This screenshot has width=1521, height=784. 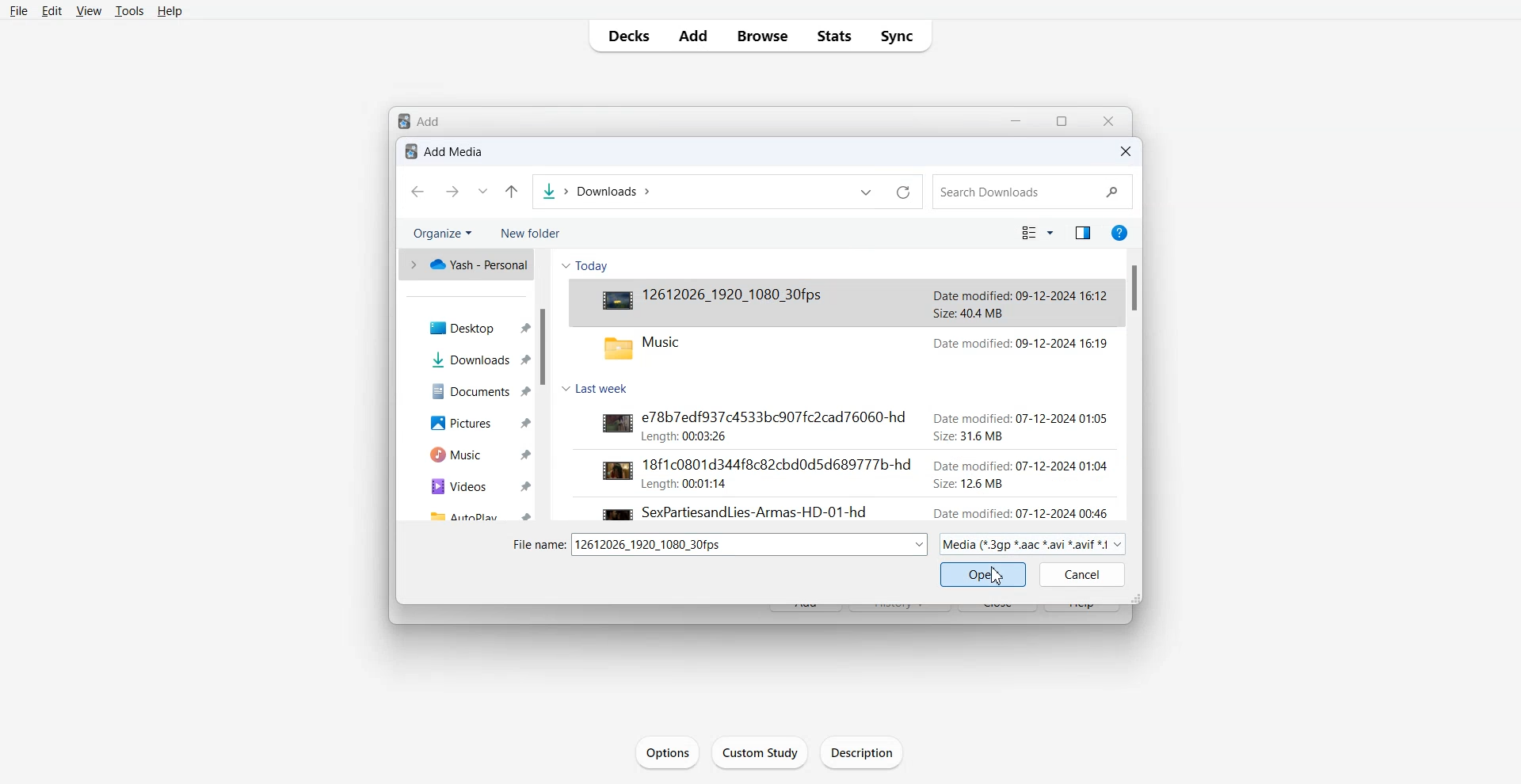 I want to click on Autoplay, so click(x=473, y=513).